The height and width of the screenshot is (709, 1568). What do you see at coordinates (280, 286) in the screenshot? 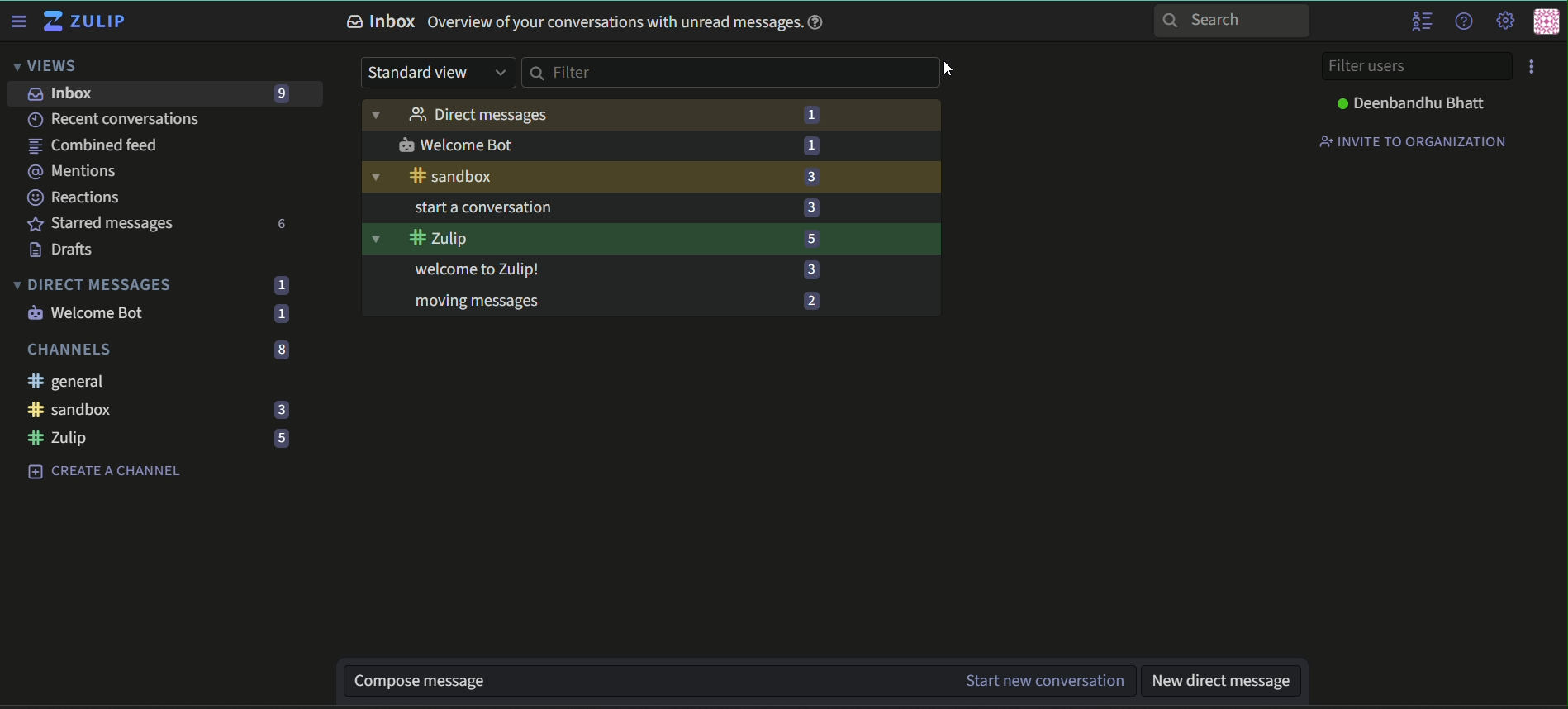
I see `numbers` at bounding box center [280, 286].